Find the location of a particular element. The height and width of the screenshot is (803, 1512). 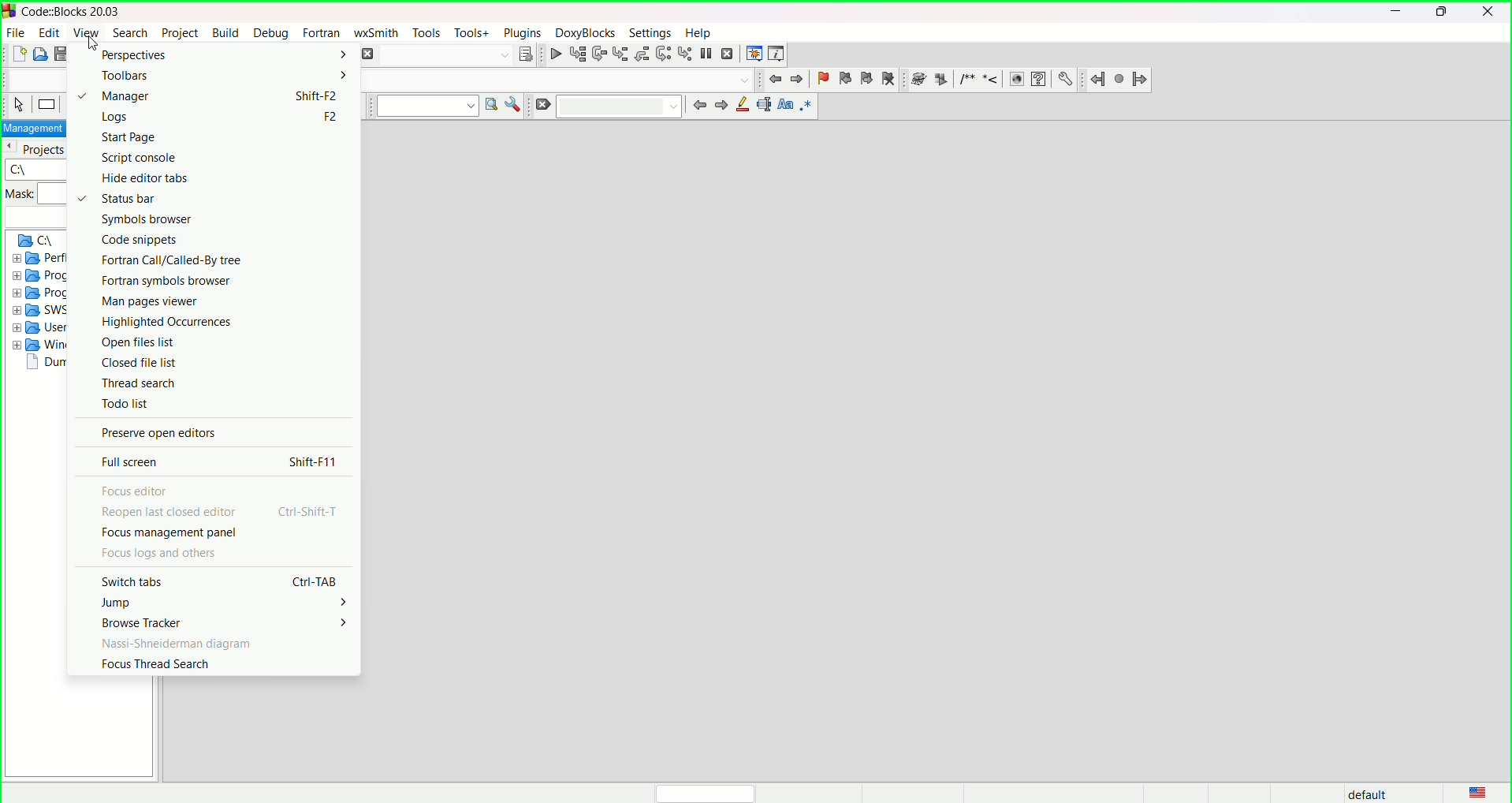

 is located at coordinates (374, 32).